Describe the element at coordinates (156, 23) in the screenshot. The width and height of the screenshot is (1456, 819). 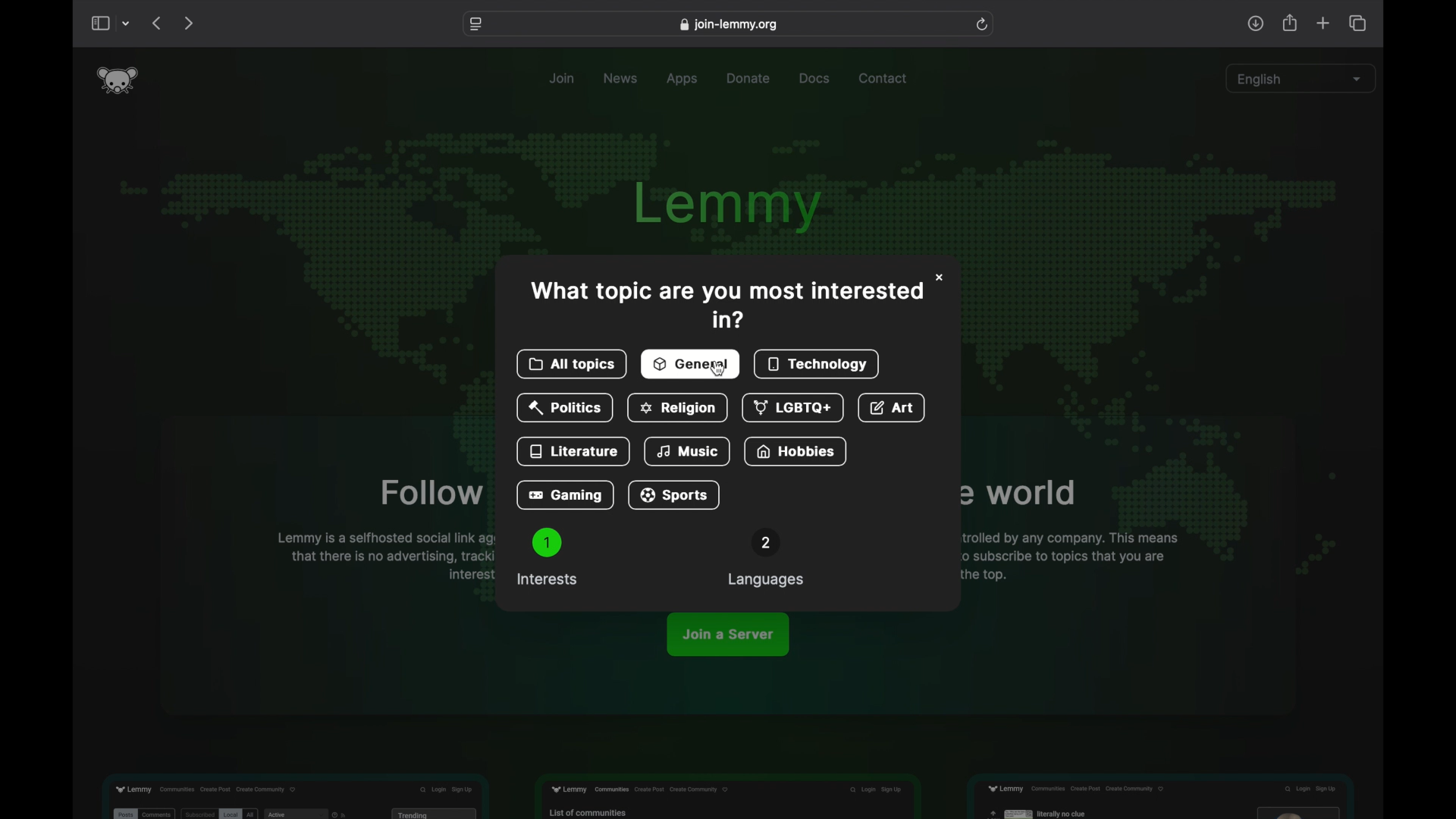
I see `previous page` at that location.